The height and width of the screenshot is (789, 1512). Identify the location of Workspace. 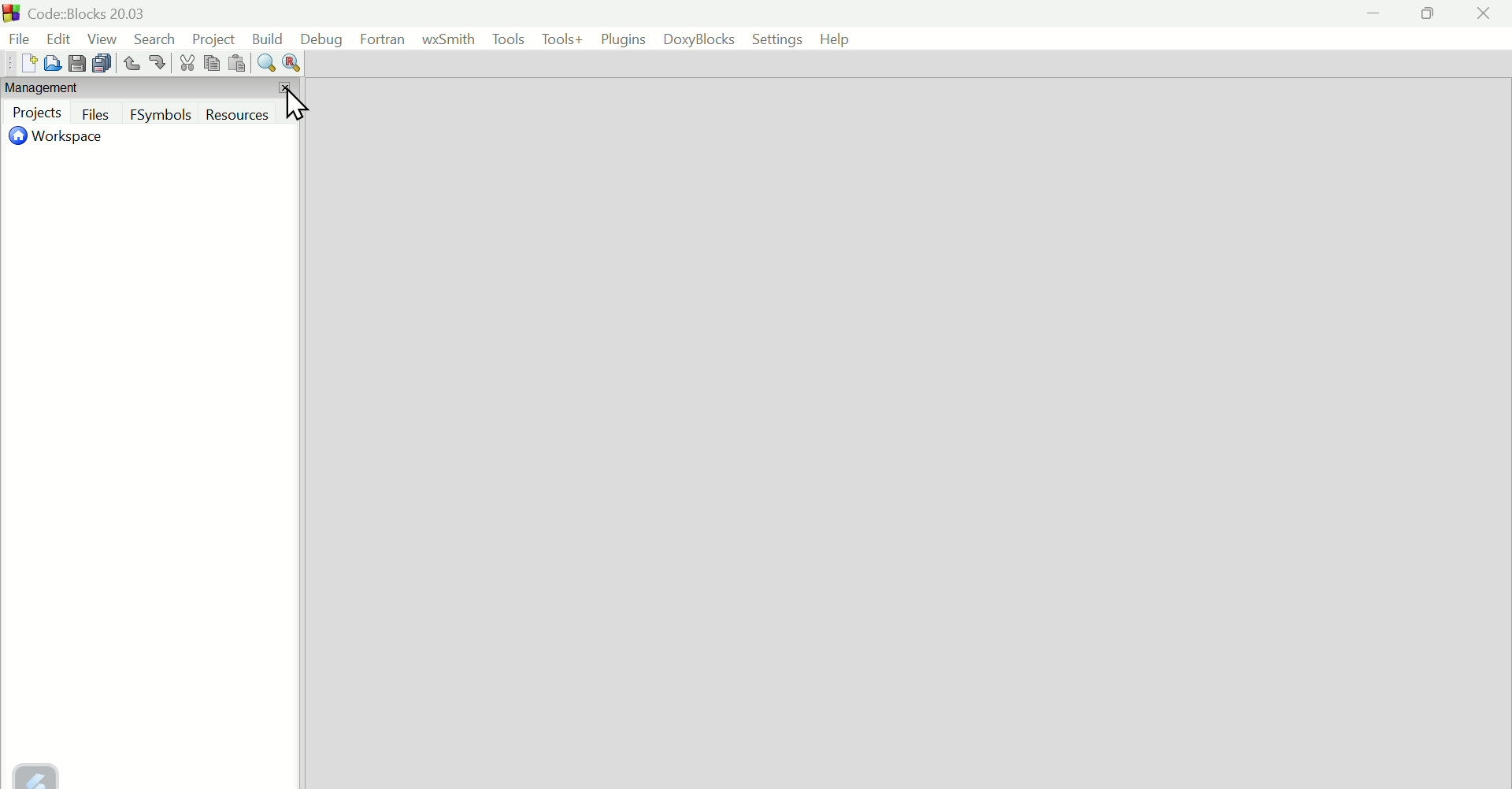
(61, 135).